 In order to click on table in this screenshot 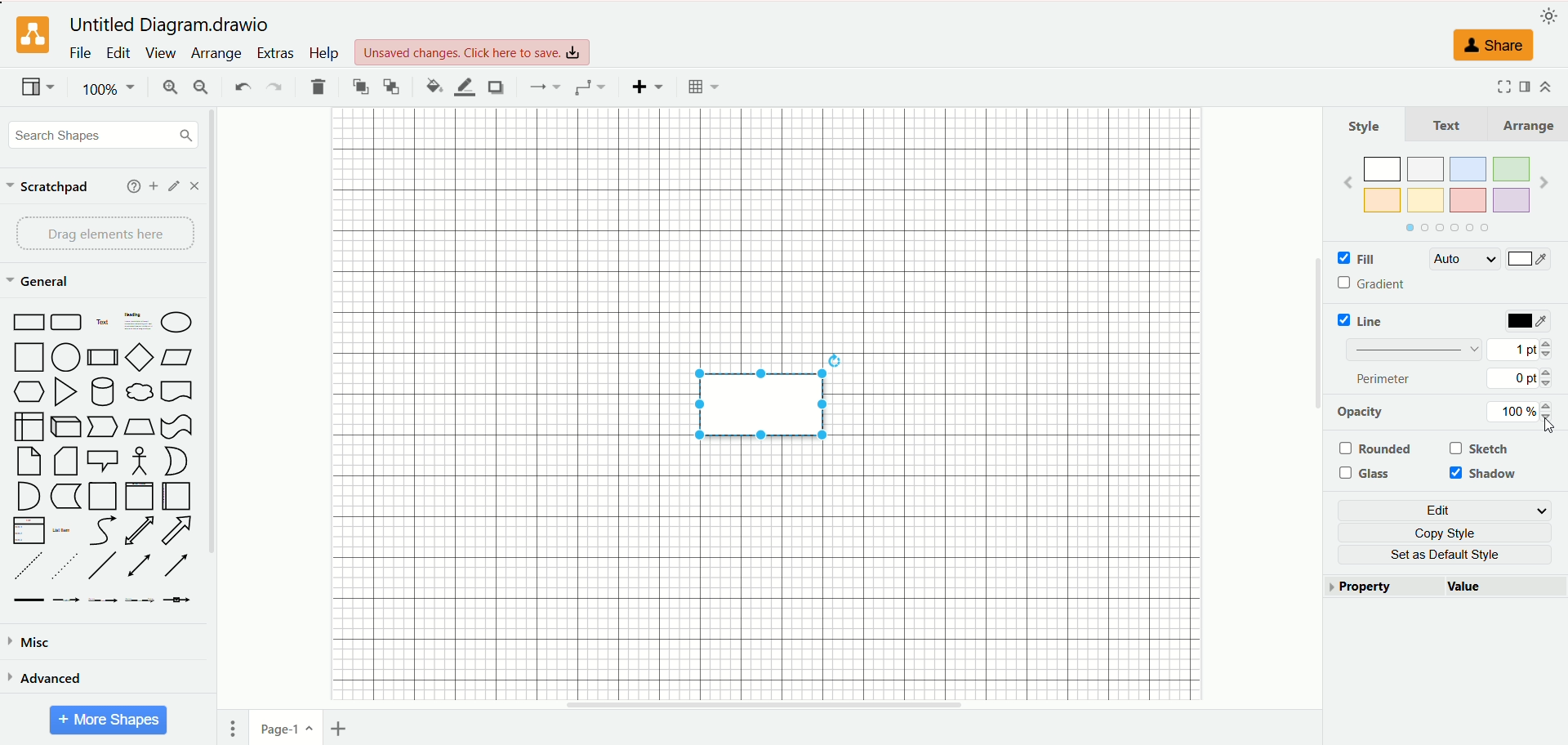, I will do `click(703, 87)`.